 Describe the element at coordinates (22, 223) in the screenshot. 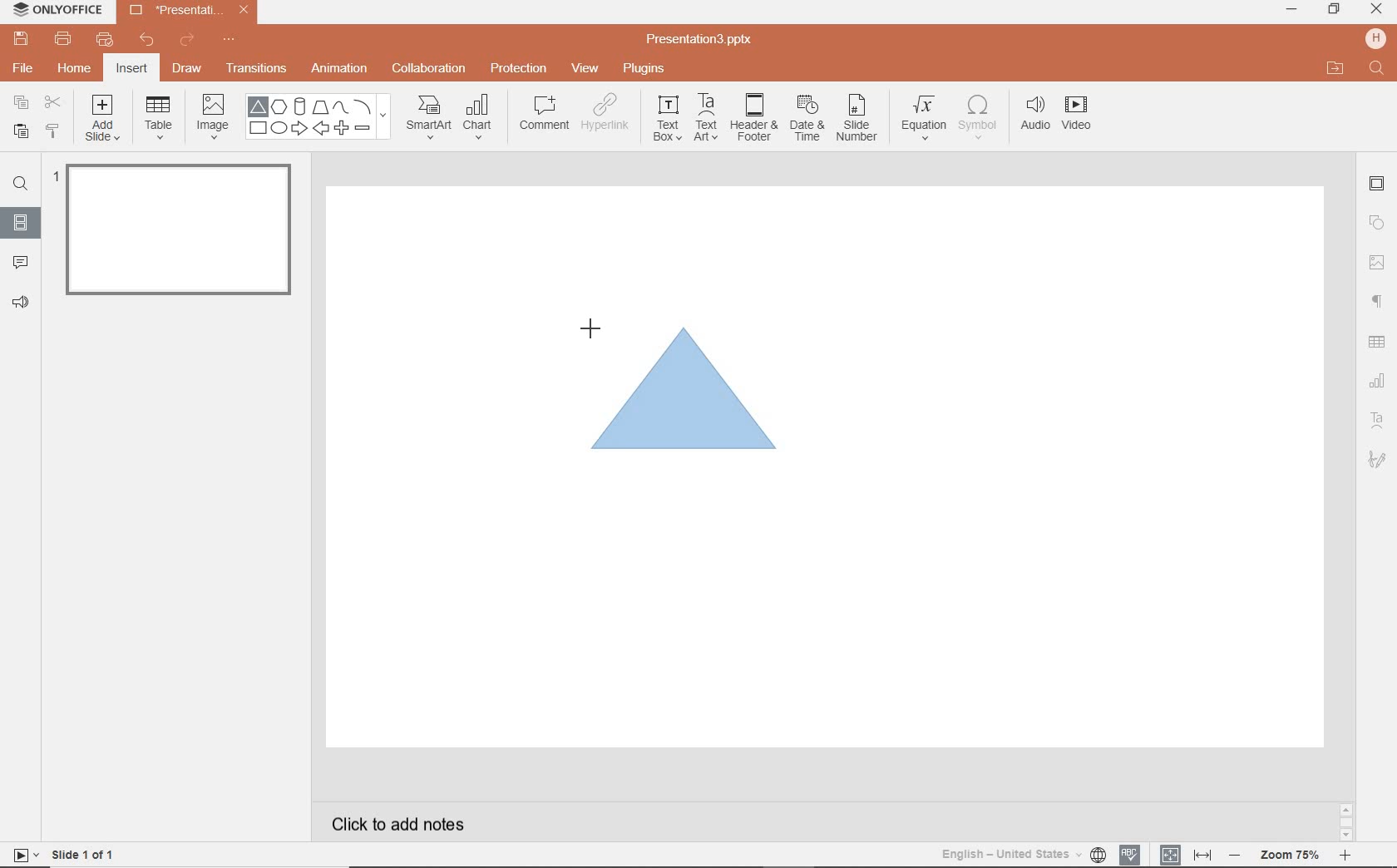

I see `SLIDES` at that location.